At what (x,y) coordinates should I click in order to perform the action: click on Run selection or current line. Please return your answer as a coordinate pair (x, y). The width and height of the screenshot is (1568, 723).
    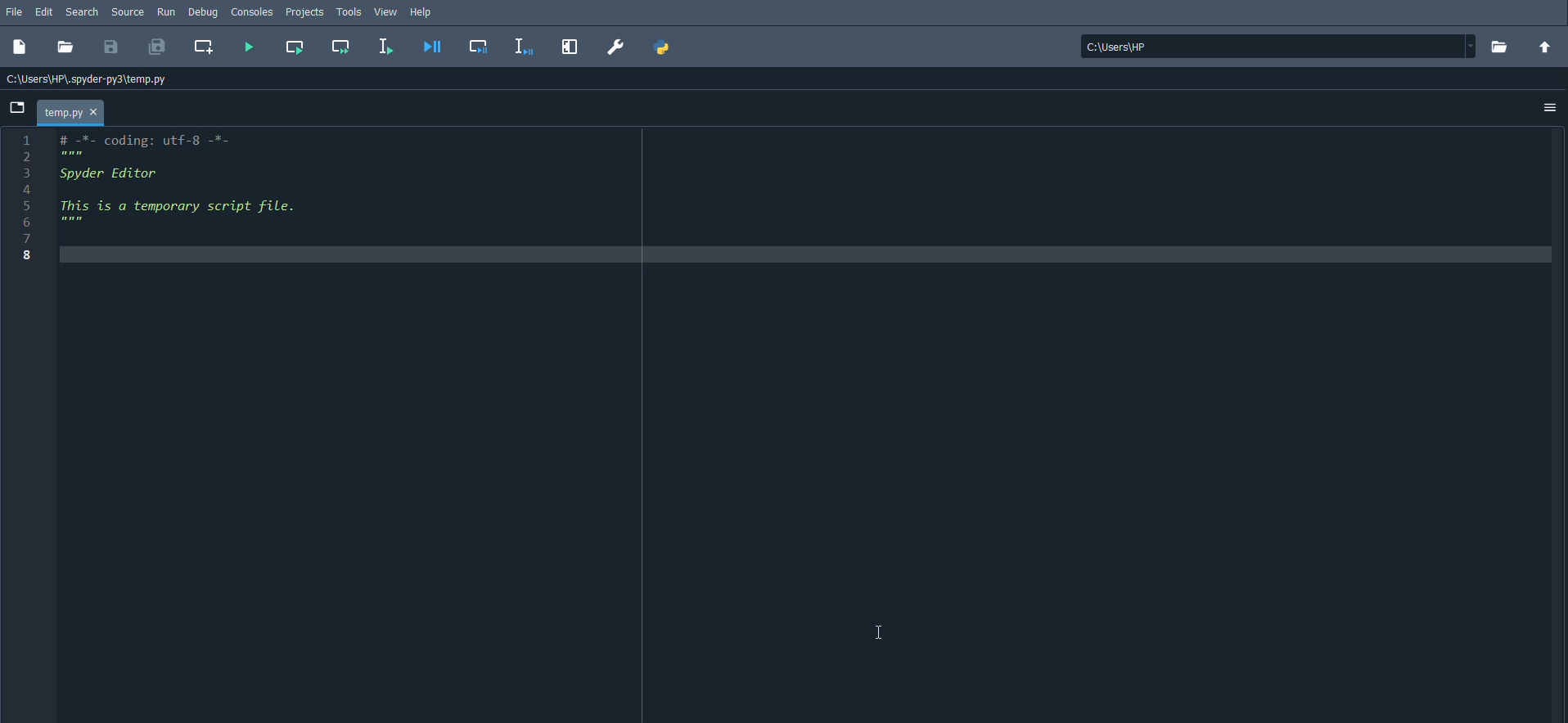
    Looking at the image, I should click on (385, 44).